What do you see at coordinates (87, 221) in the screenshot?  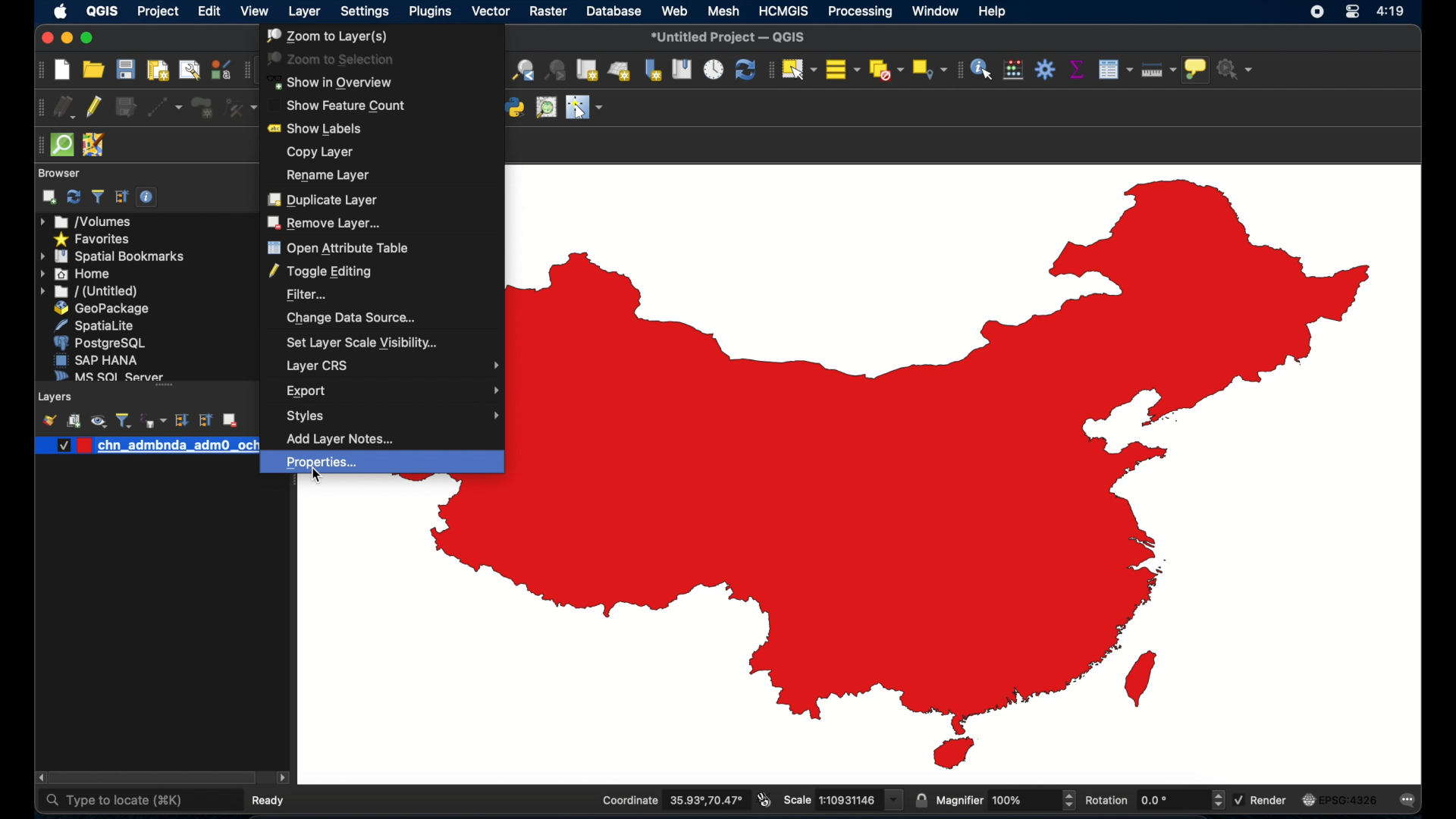 I see `volumes menu` at bounding box center [87, 221].